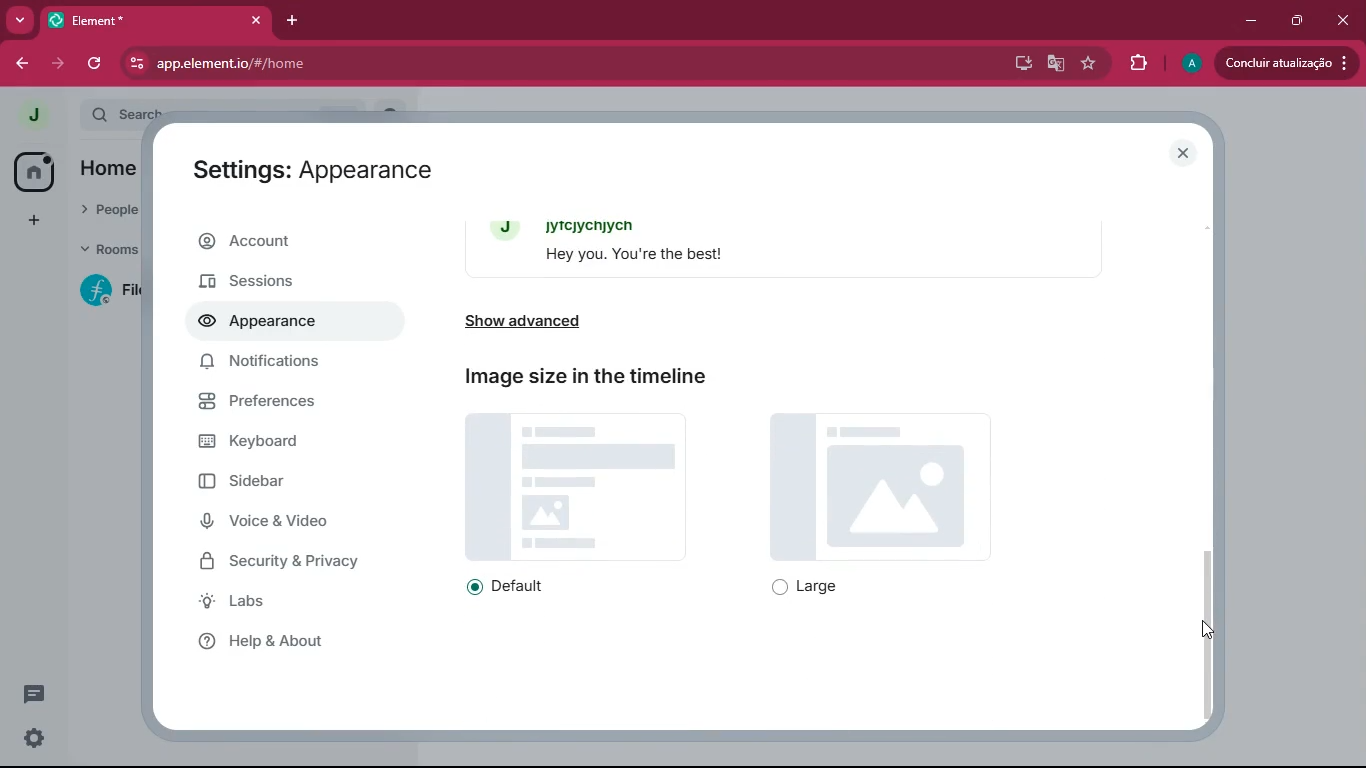 The height and width of the screenshot is (768, 1366). I want to click on sidebar, so click(286, 486).